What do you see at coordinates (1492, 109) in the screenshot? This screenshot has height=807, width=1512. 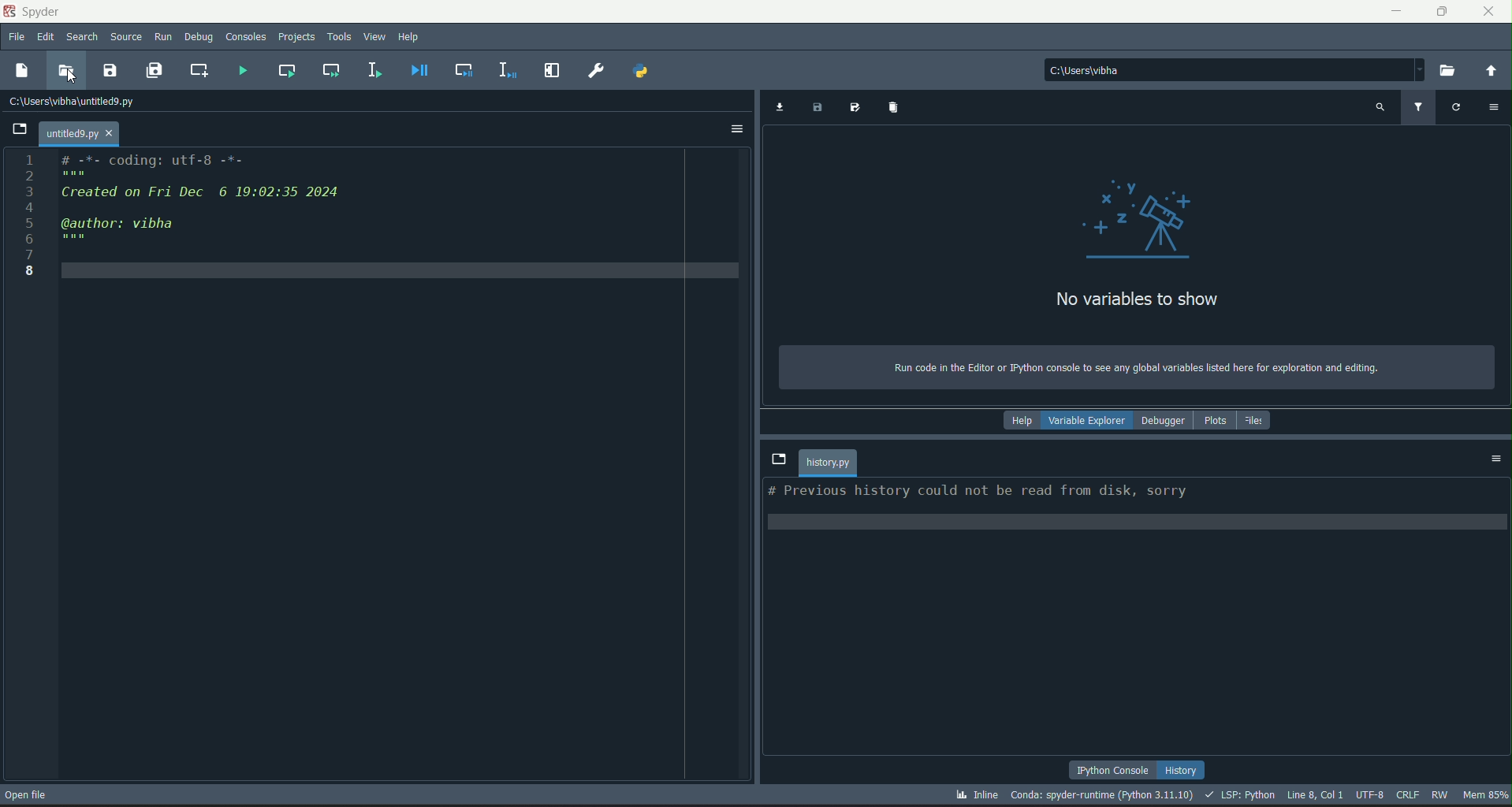 I see `options` at bounding box center [1492, 109].